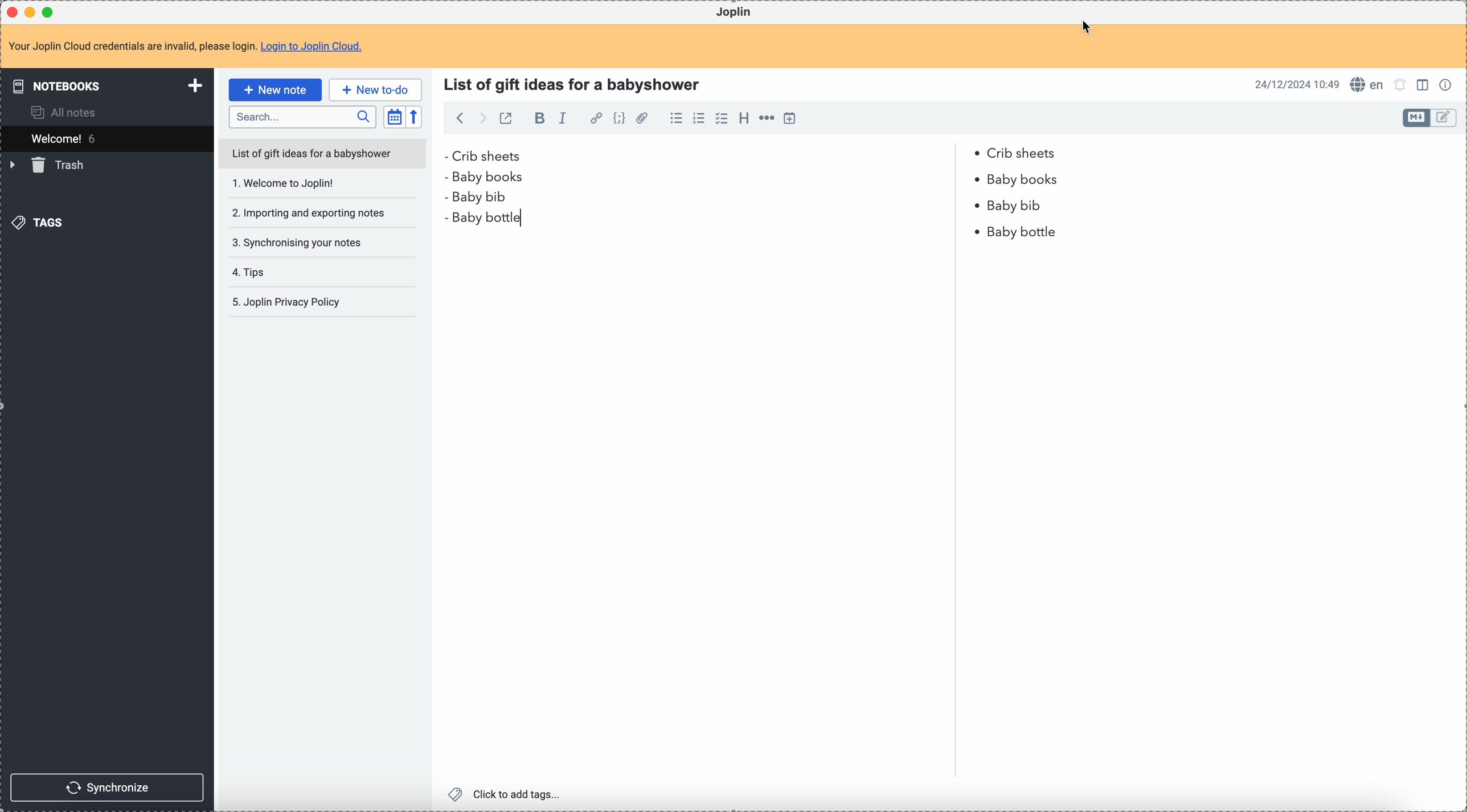 The image size is (1467, 812). What do you see at coordinates (702, 119) in the screenshot?
I see `numbered list` at bounding box center [702, 119].